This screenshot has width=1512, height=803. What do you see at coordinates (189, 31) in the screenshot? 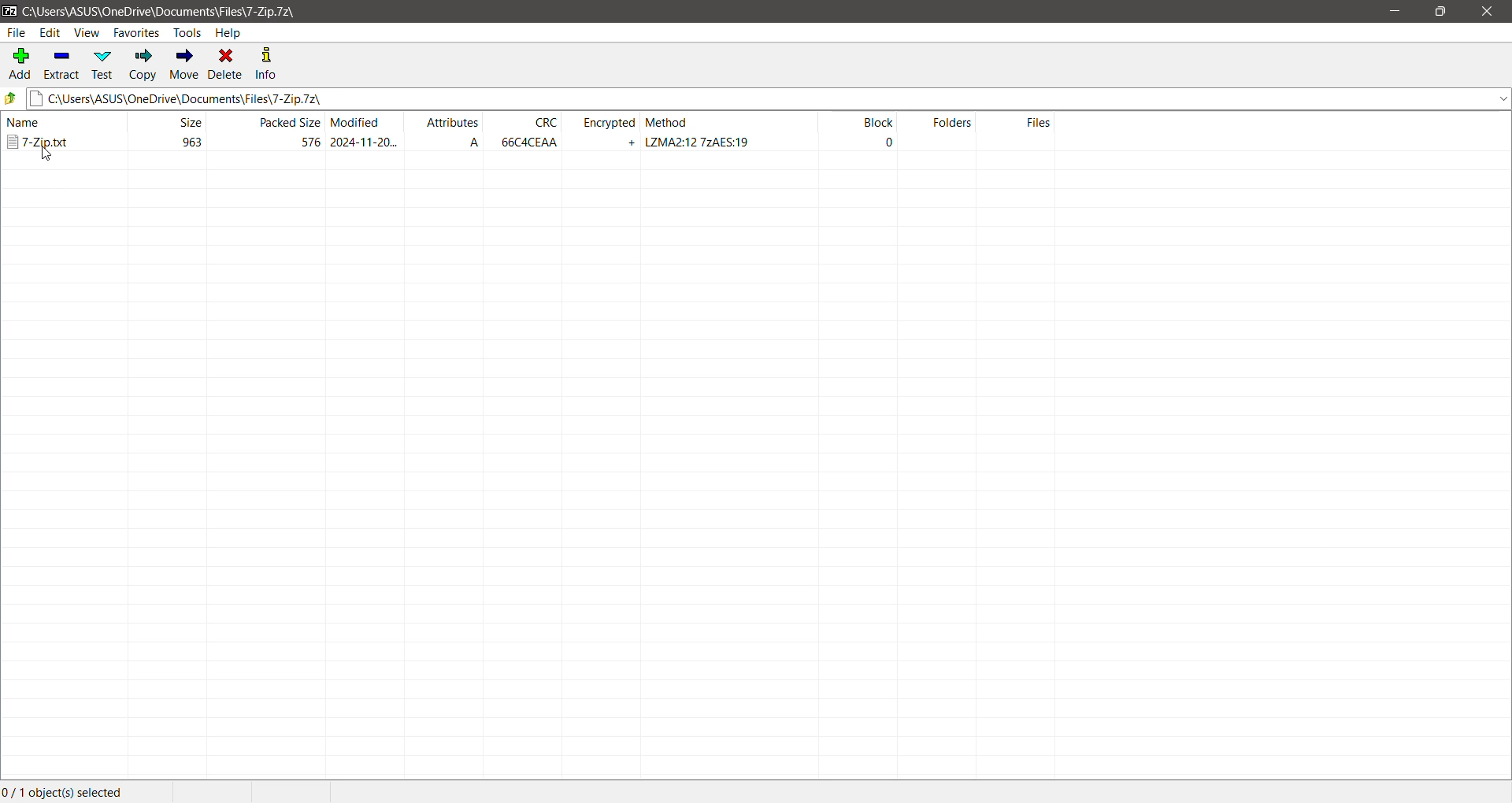
I see `Tools` at bounding box center [189, 31].